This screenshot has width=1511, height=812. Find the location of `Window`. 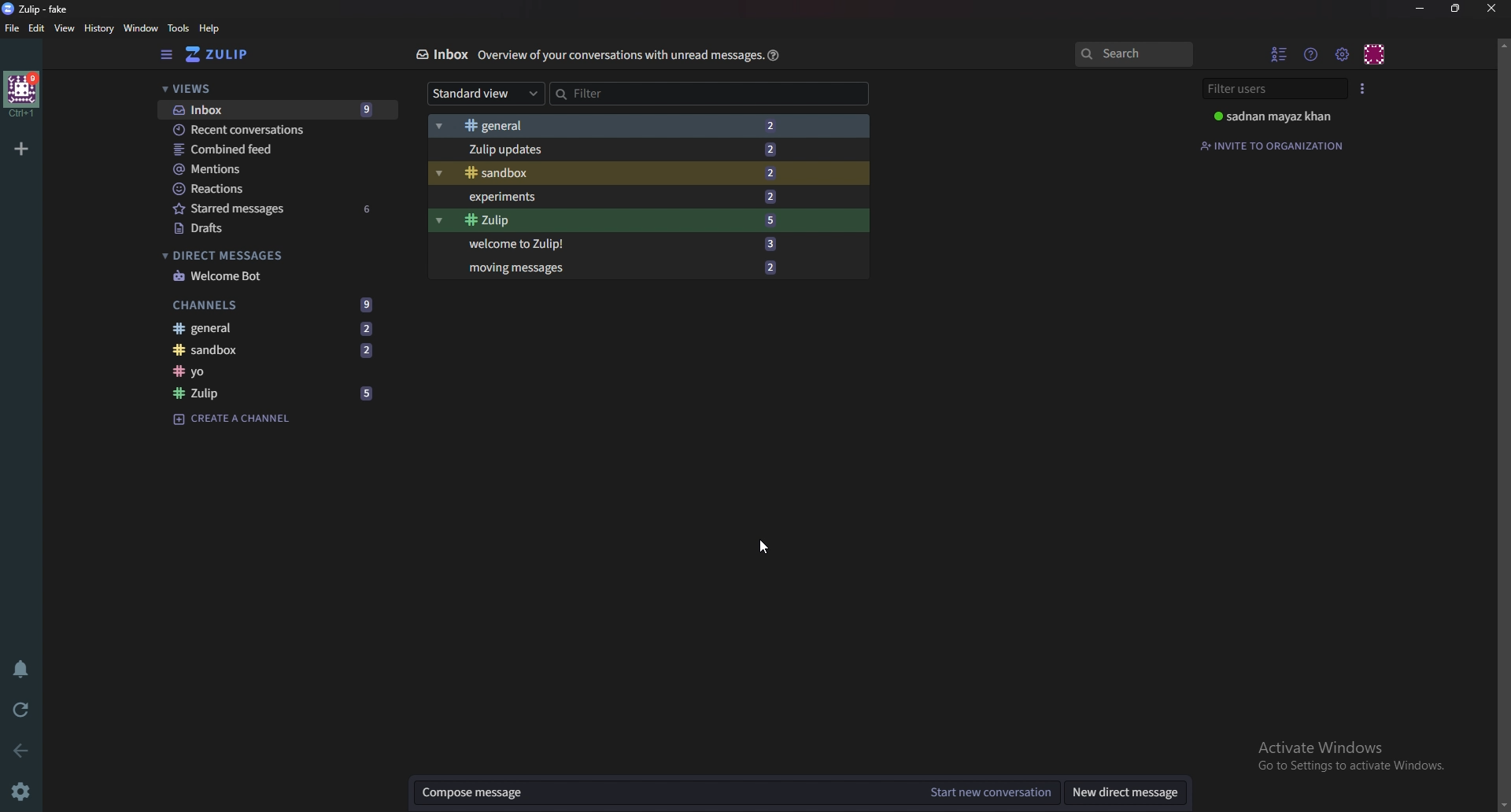

Window is located at coordinates (139, 28).